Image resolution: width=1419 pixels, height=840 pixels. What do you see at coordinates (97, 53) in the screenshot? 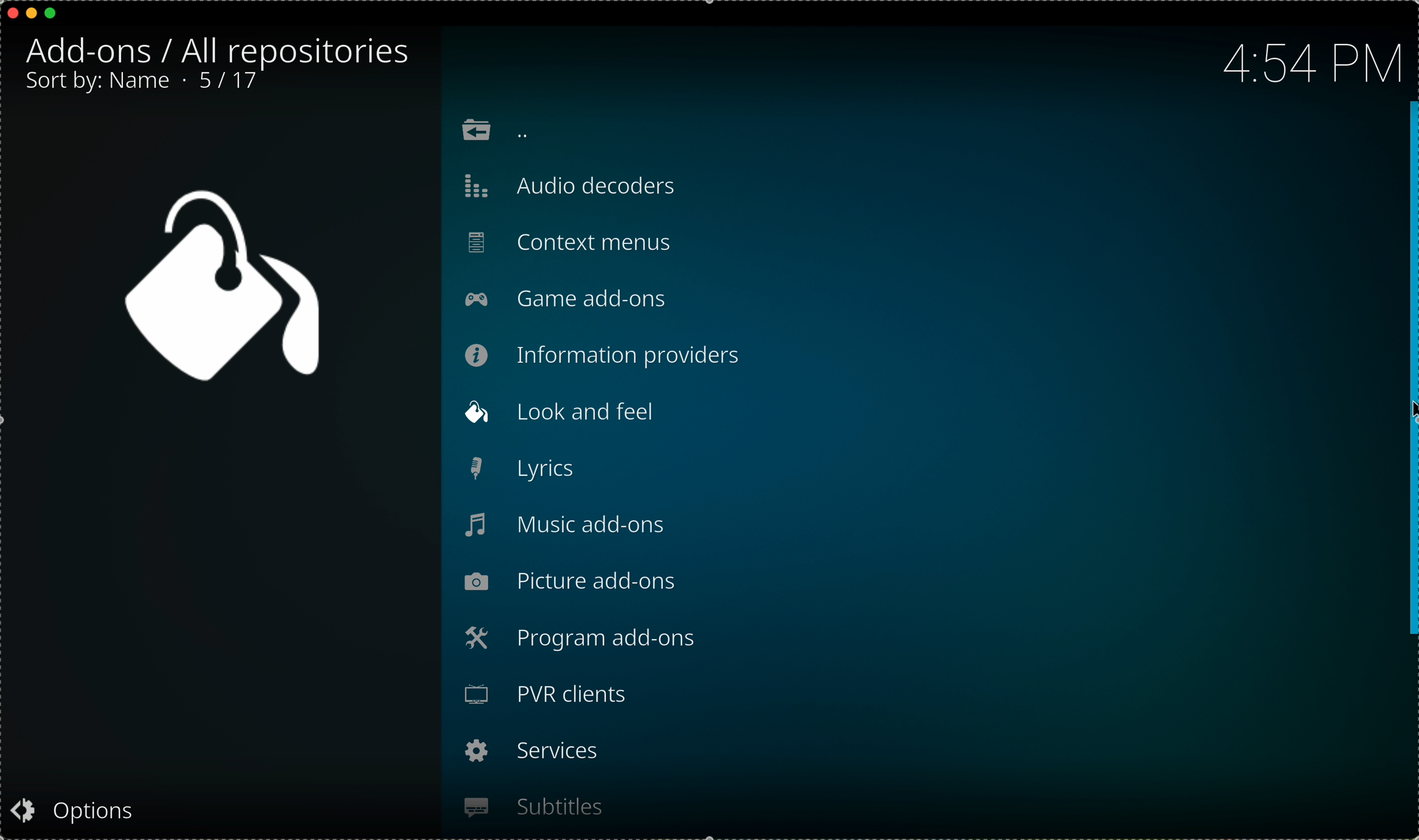
I see `add-ons` at bounding box center [97, 53].